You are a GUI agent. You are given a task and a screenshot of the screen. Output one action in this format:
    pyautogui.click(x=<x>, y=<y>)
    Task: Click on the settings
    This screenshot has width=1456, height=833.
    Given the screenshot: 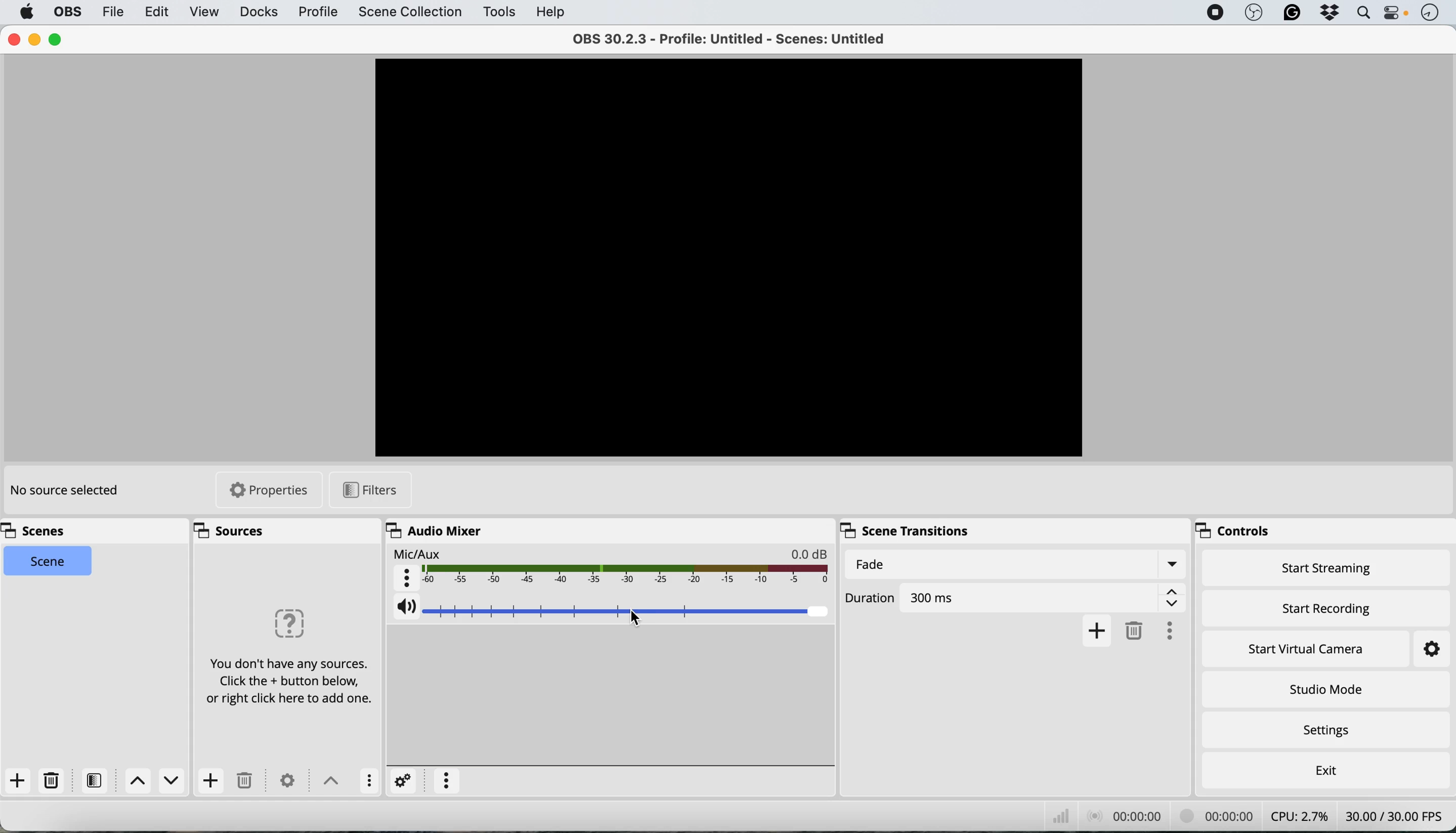 What is the action you would take?
    pyautogui.click(x=1336, y=732)
    